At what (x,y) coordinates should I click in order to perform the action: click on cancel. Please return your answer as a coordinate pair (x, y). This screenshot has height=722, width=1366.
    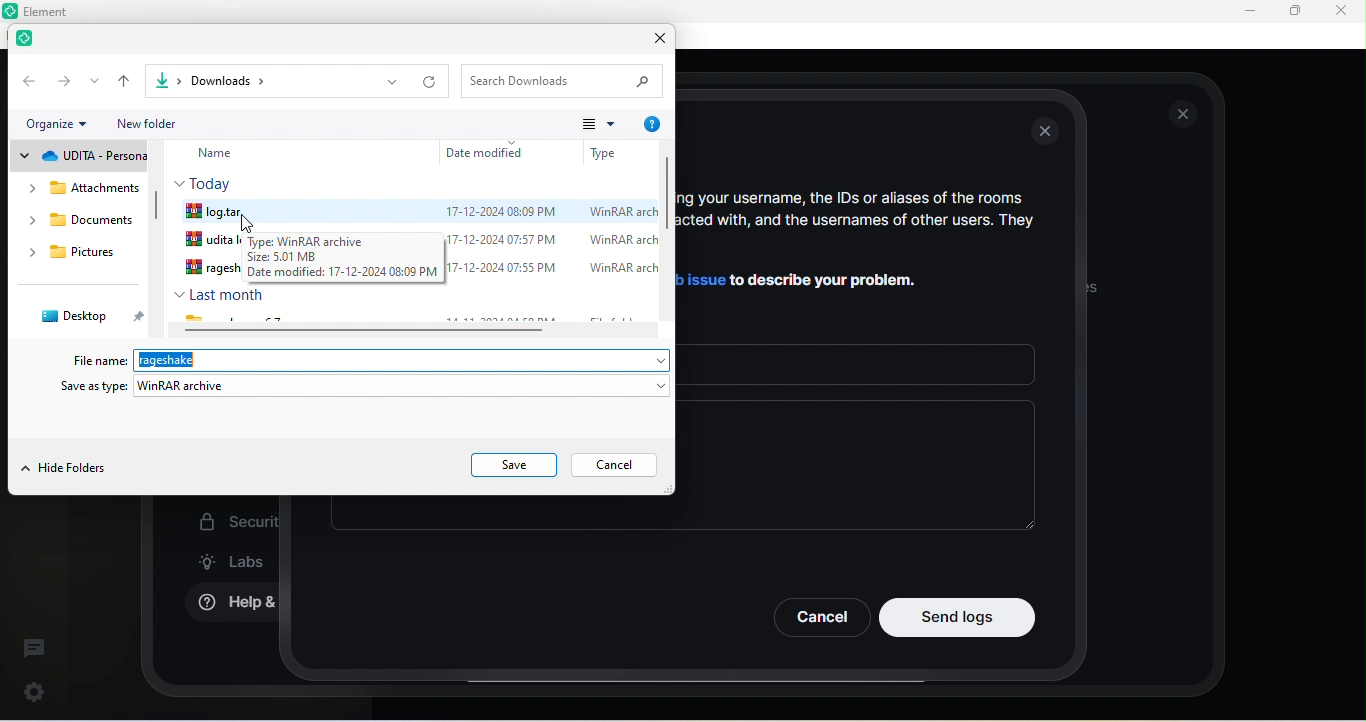
    Looking at the image, I should click on (619, 466).